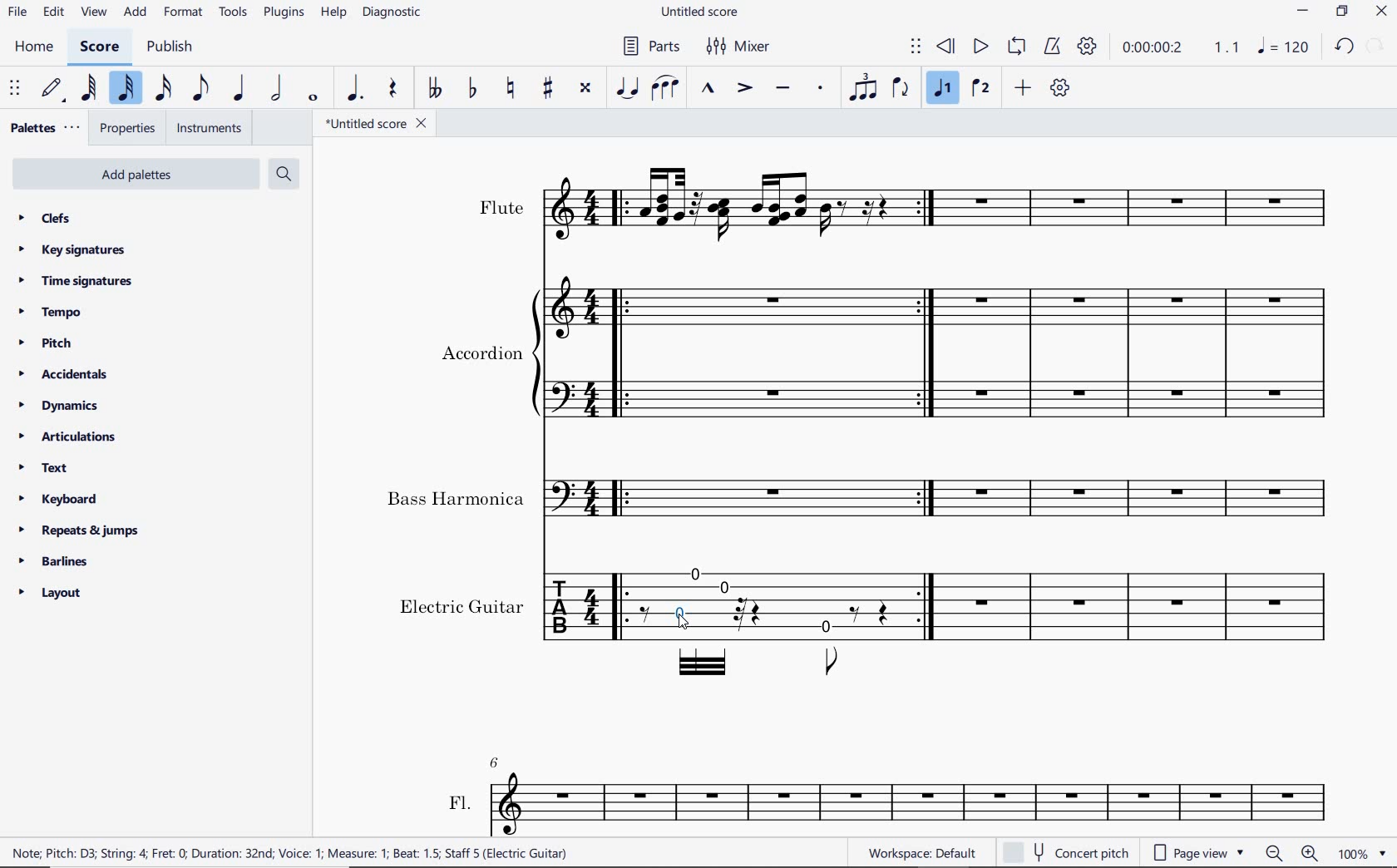 The image size is (1397, 868). Describe the element at coordinates (184, 15) in the screenshot. I see `format` at that location.